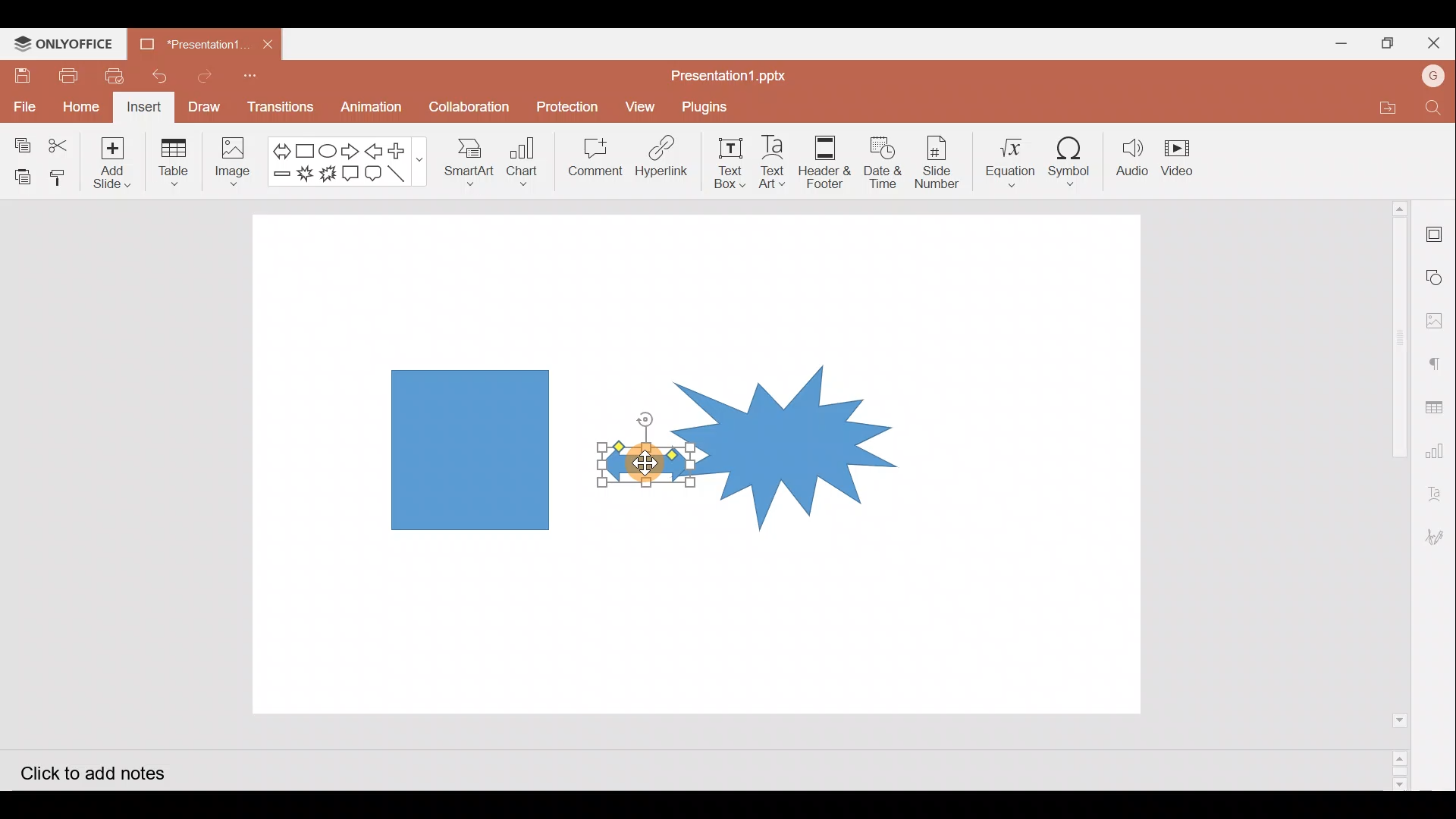  What do you see at coordinates (353, 173) in the screenshot?
I see `Rectangular callout` at bounding box center [353, 173].